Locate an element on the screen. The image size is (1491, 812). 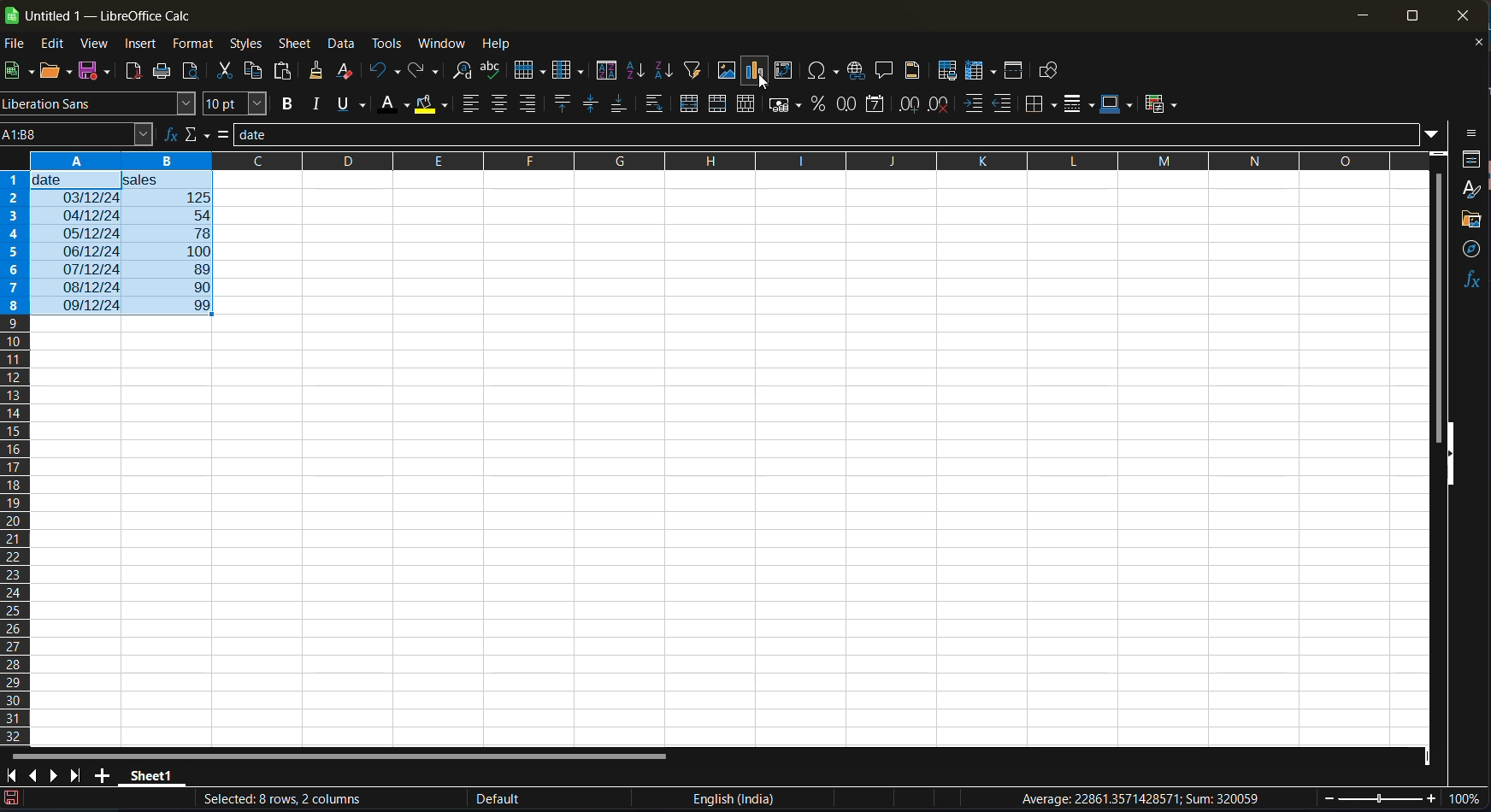
sort descending is located at coordinates (663, 70).